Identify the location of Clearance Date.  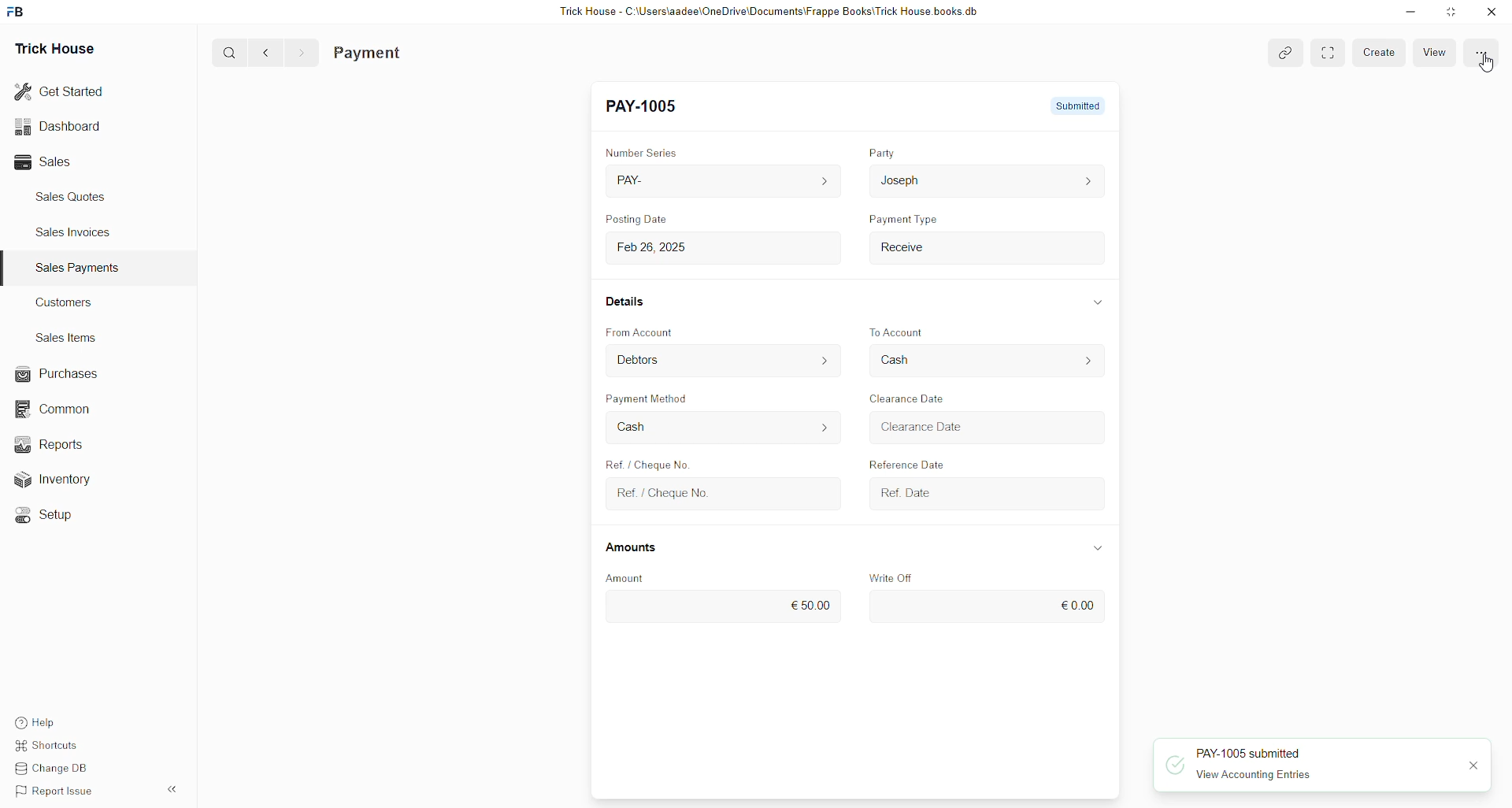
(981, 427).